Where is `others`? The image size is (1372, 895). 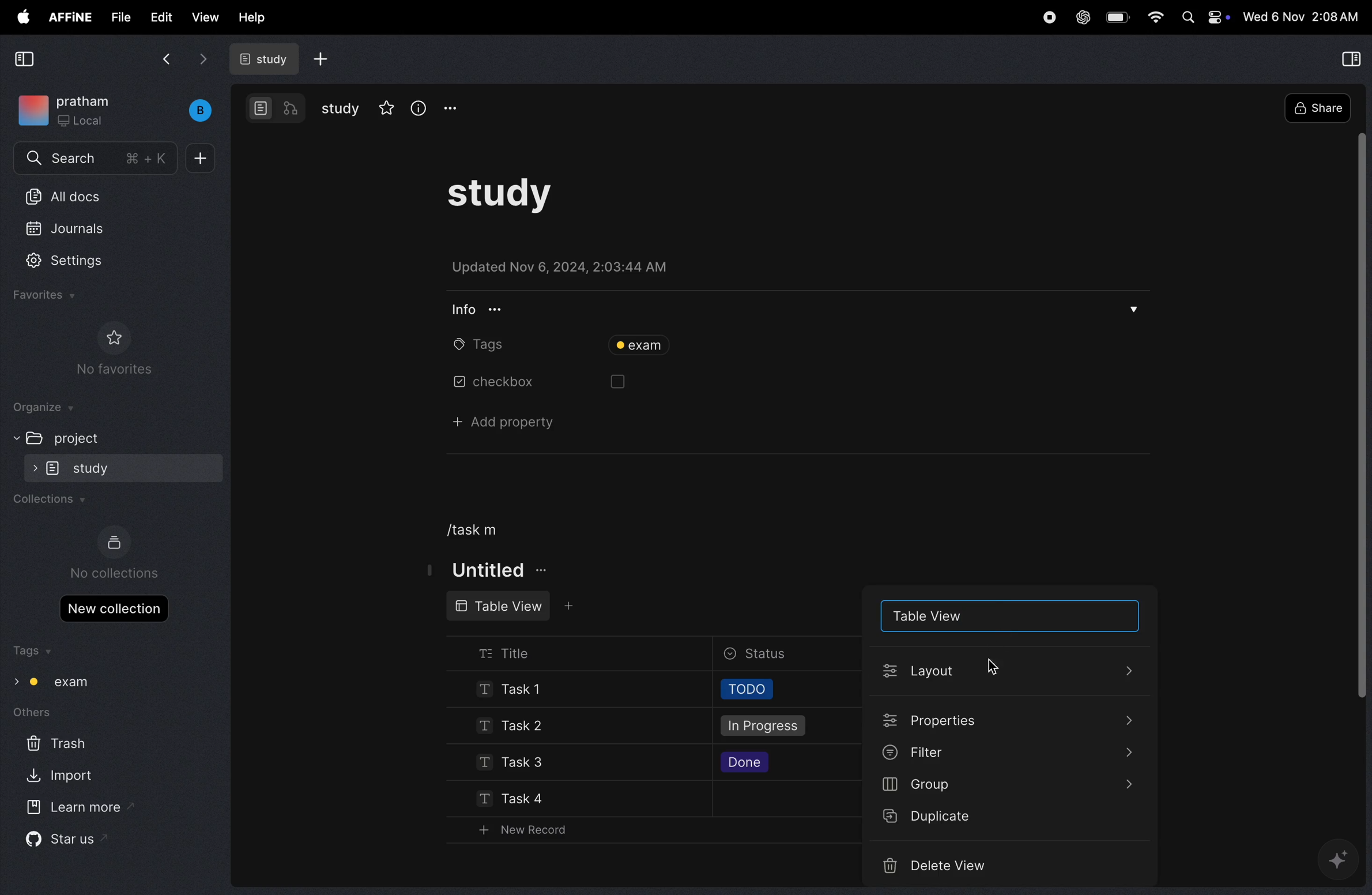 others is located at coordinates (70, 712).